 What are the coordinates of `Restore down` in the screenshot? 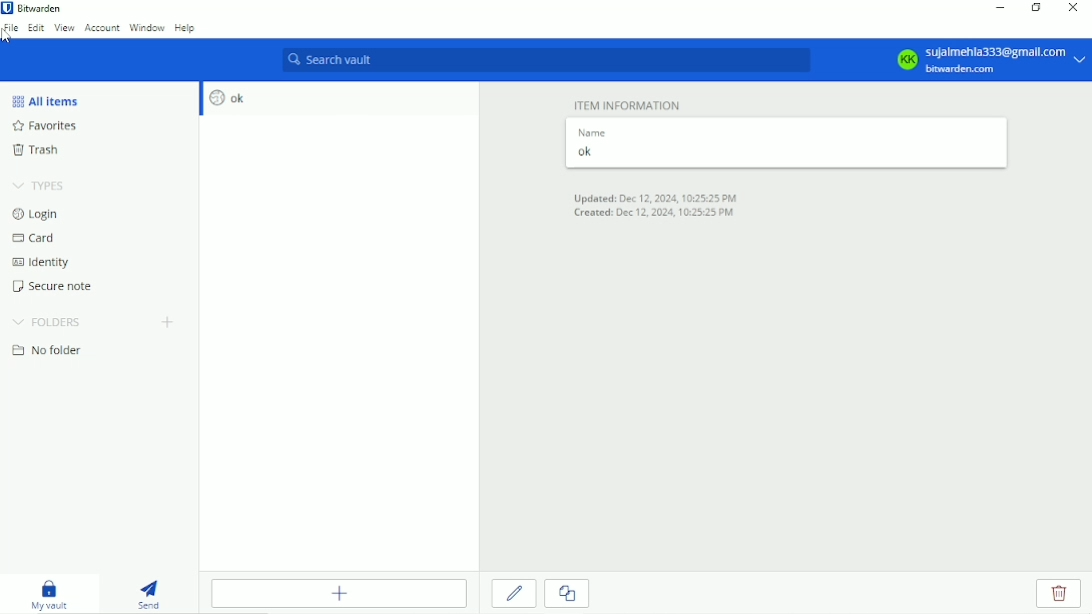 It's located at (1036, 7).